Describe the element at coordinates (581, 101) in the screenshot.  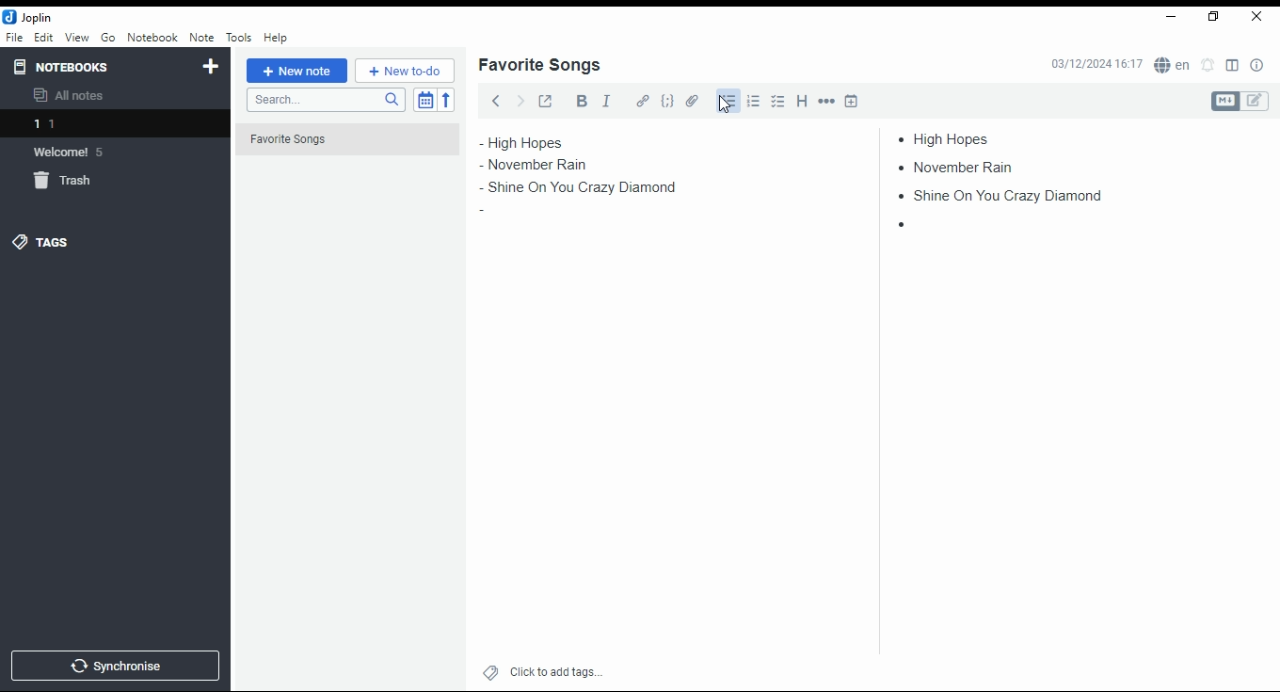
I see `bold` at that location.